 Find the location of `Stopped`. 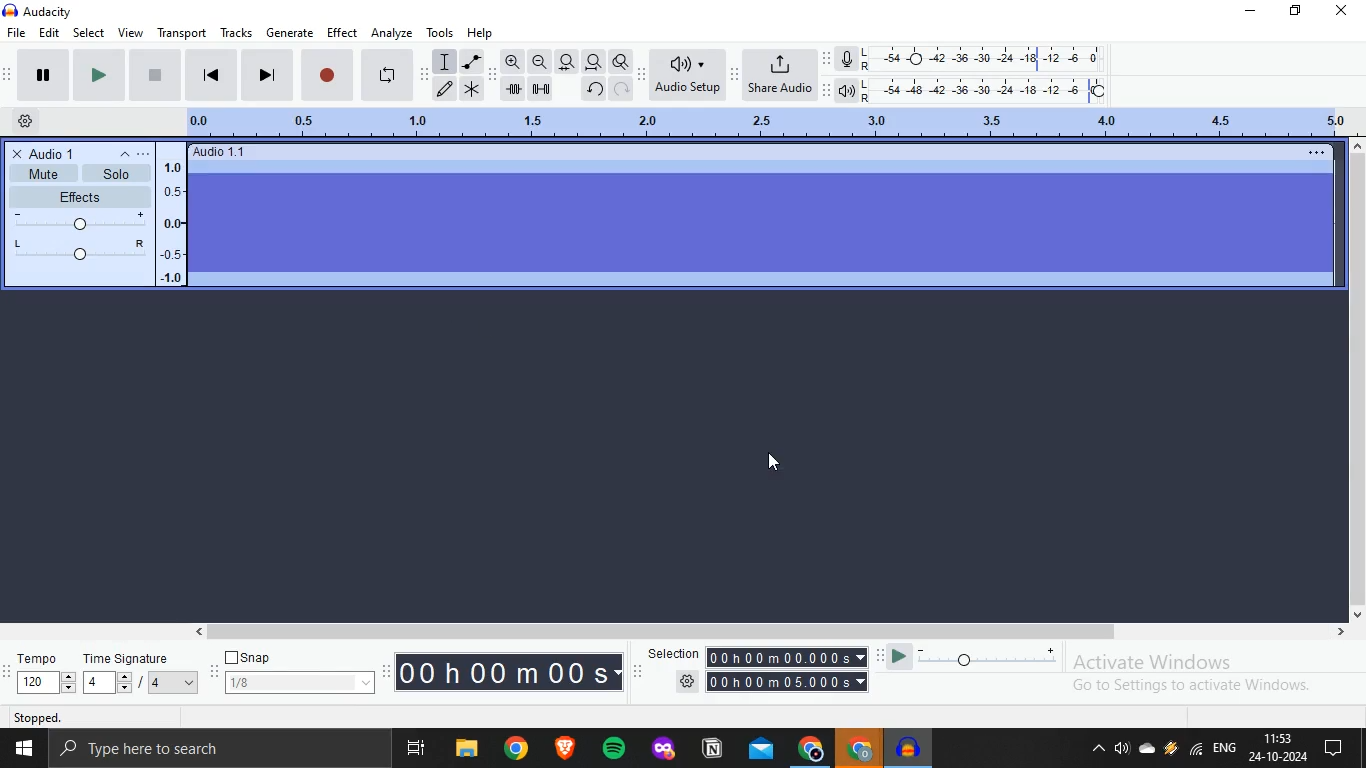

Stopped is located at coordinates (107, 716).